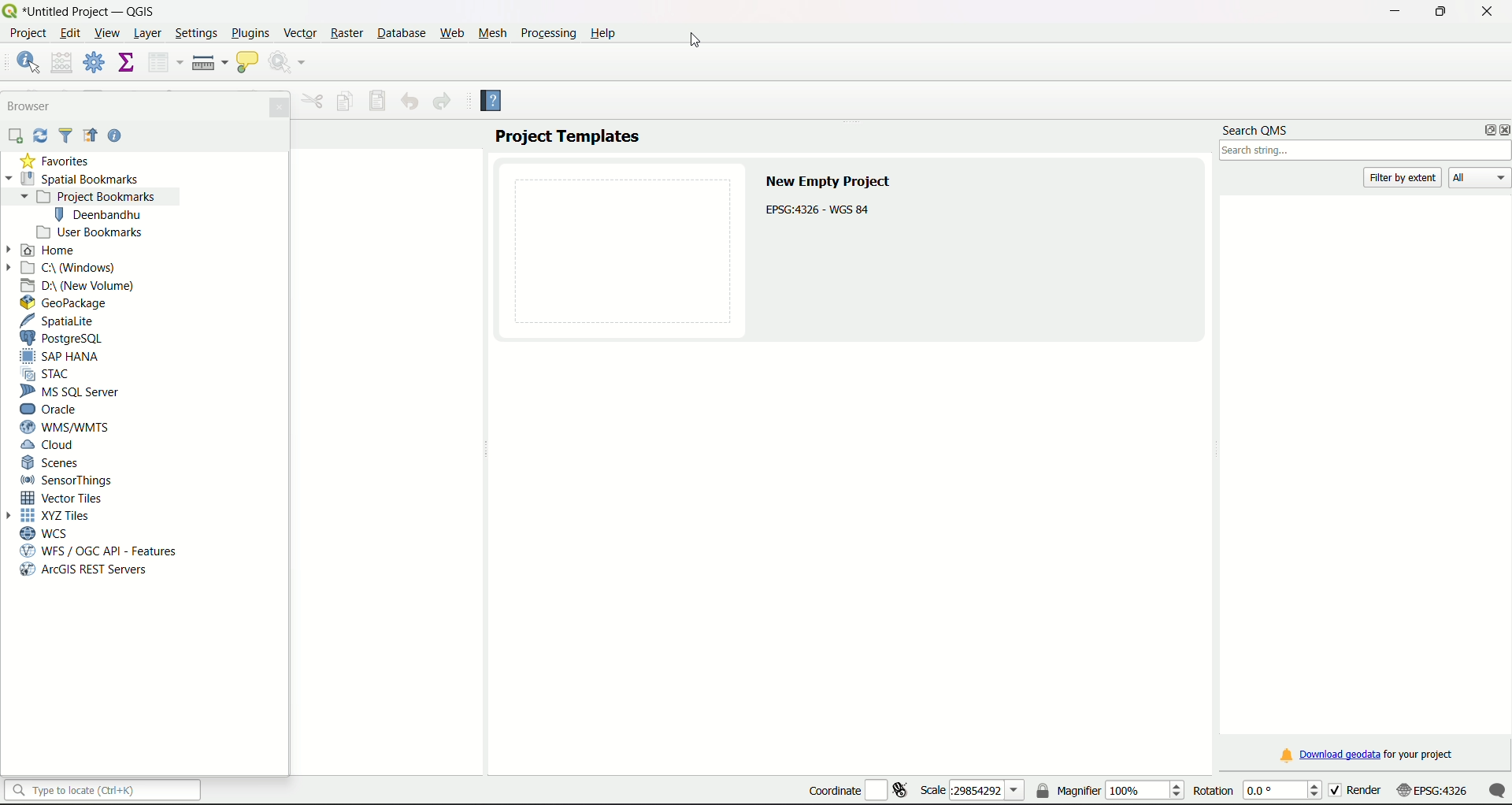  What do you see at coordinates (1440, 12) in the screenshot?
I see `minimize/maximize` at bounding box center [1440, 12].